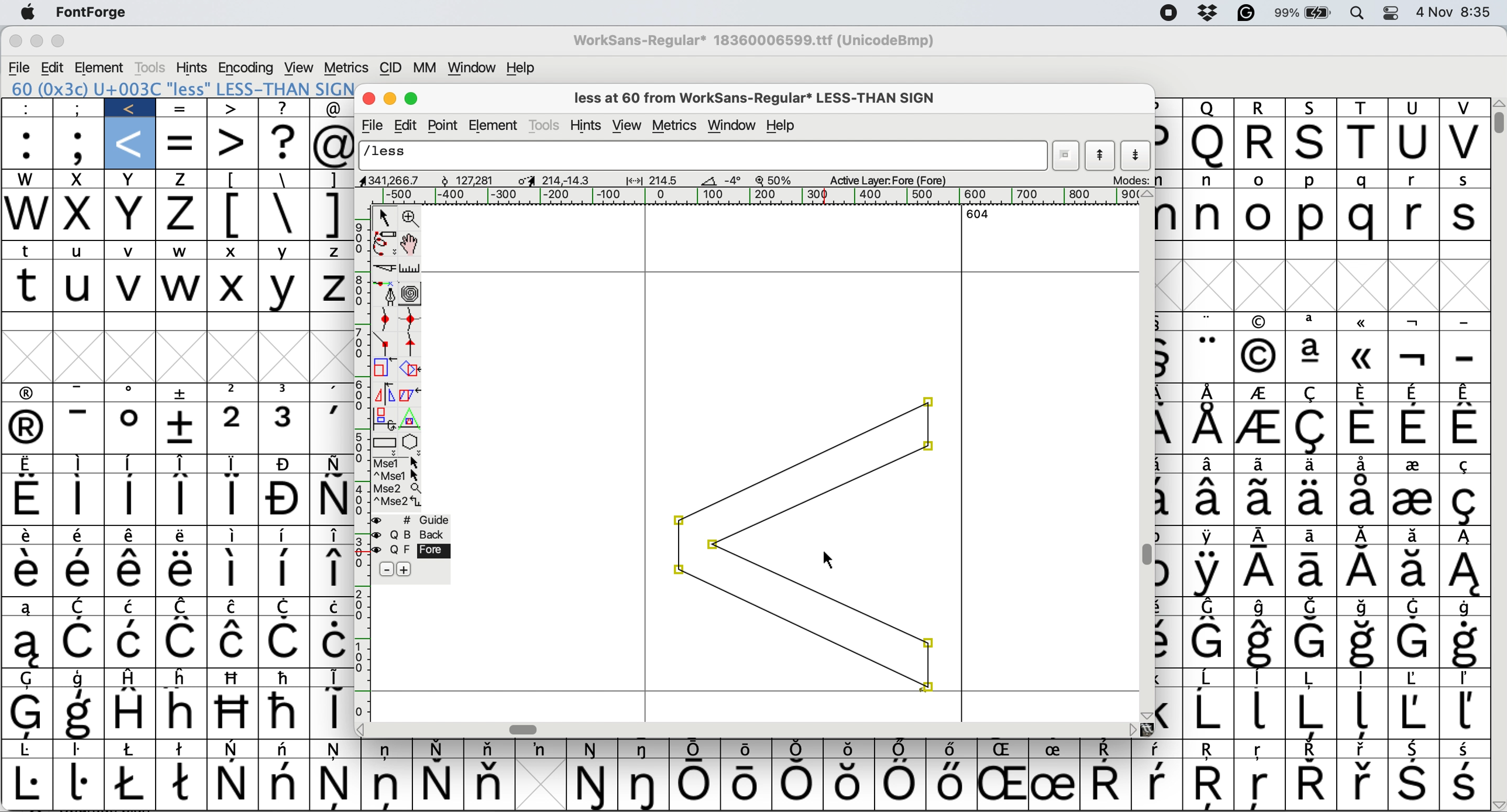 The image size is (1507, 812). What do you see at coordinates (1210, 392) in the screenshot?
I see `Symbol` at bounding box center [1210, 392].